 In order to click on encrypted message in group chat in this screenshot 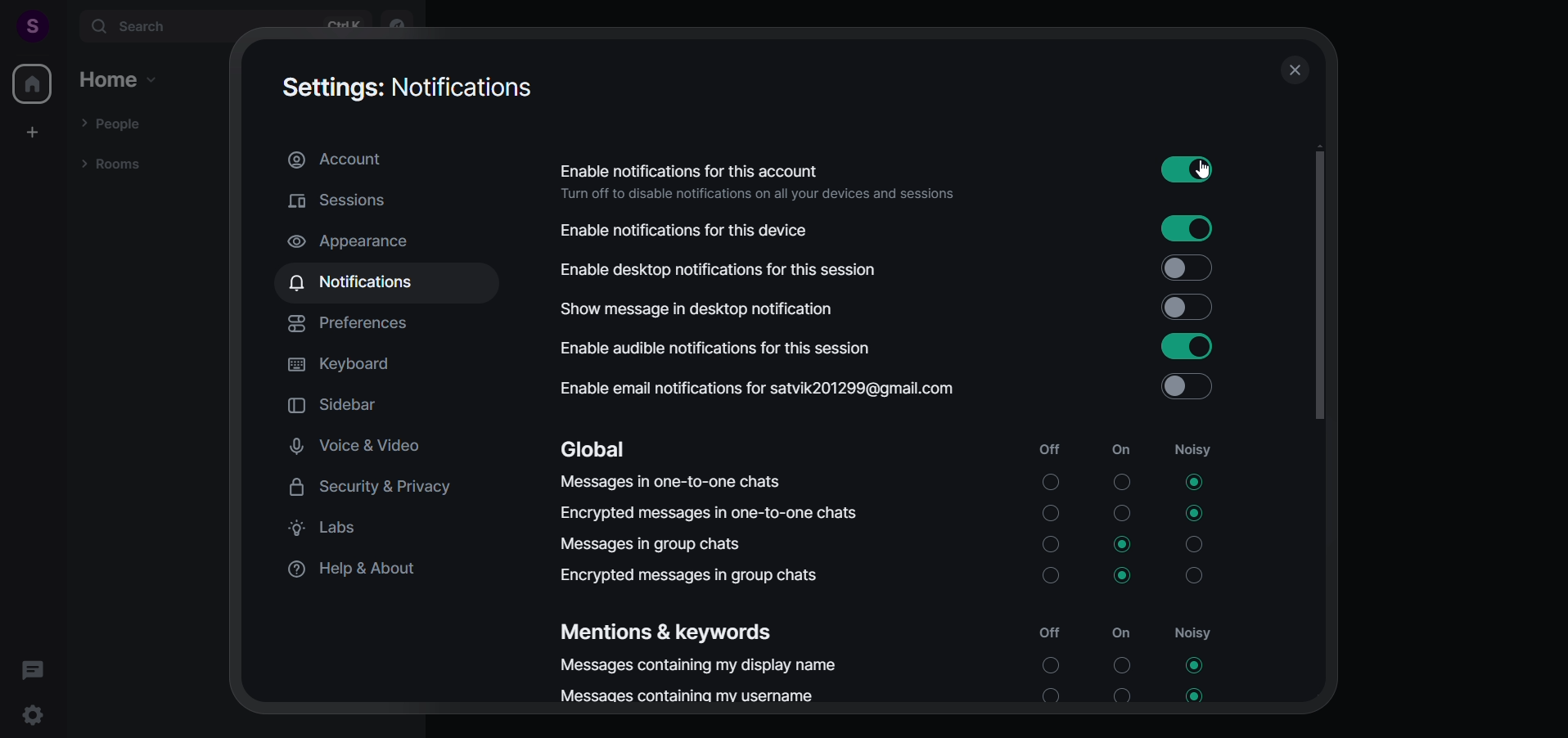, I will do `click(894, 578)`.